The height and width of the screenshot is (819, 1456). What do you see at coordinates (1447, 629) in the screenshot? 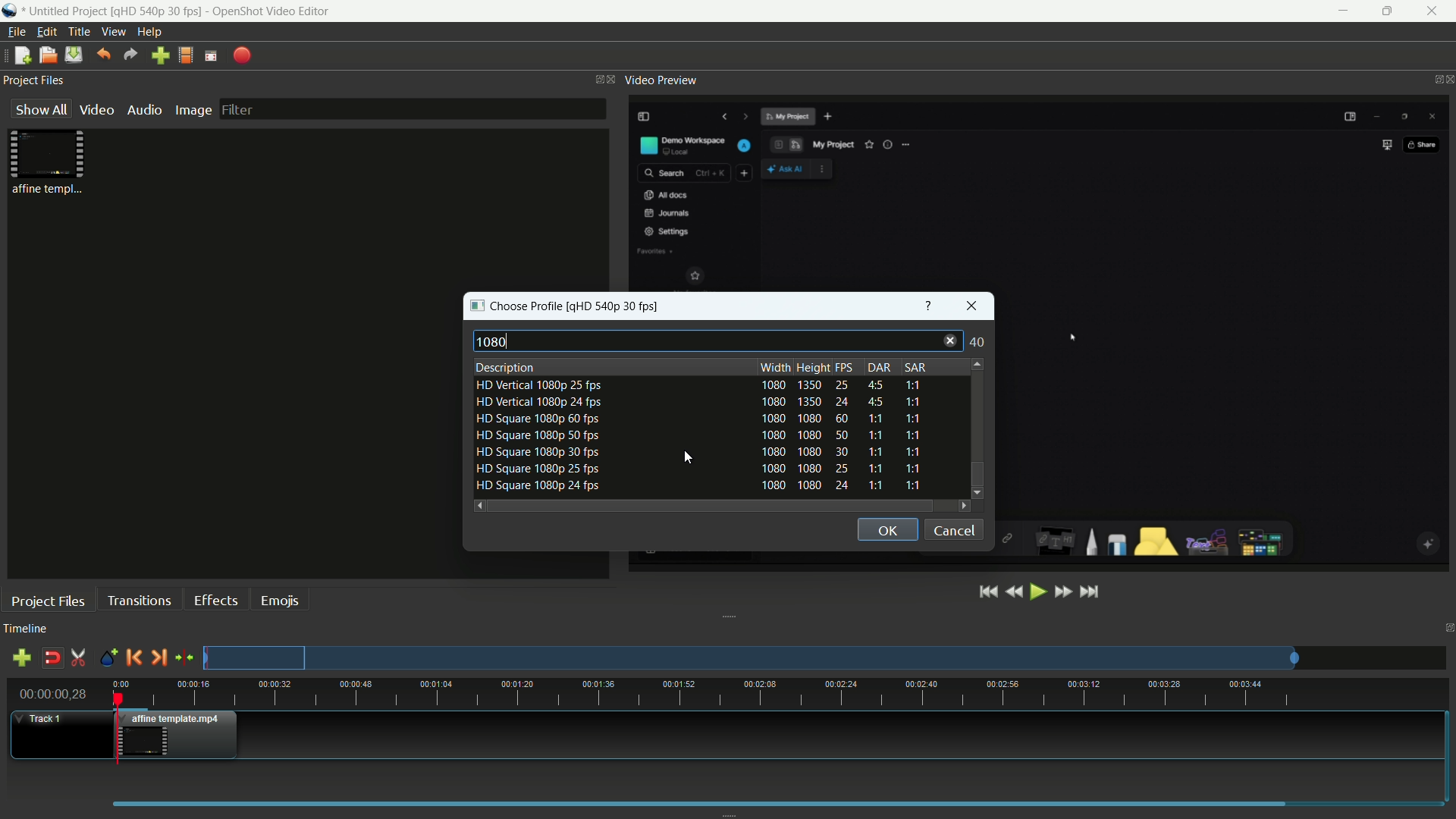
I see `close timeline` at bounding box center [1447, 629].